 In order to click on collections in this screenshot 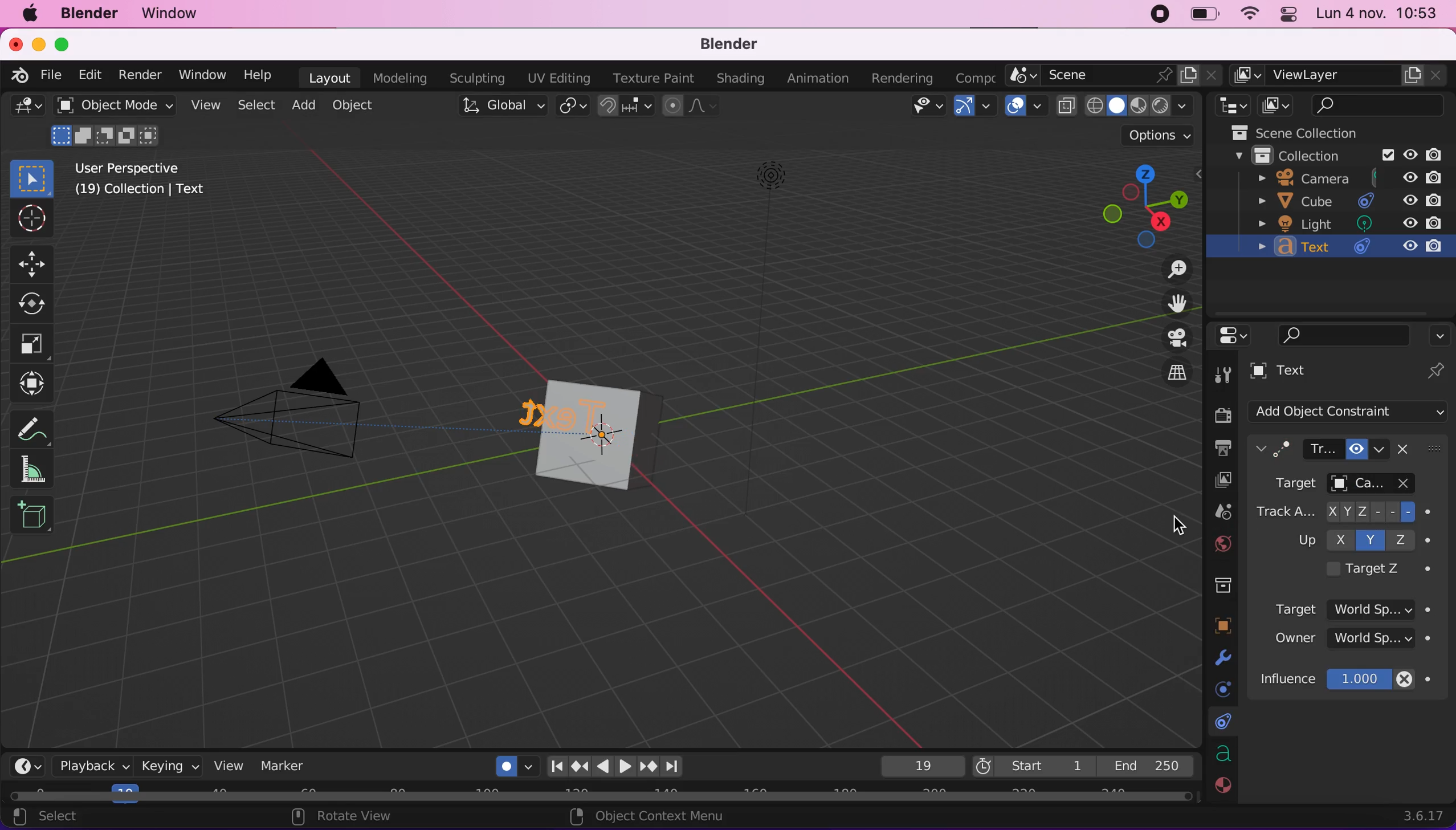, I will do `click(1220, 587)`.